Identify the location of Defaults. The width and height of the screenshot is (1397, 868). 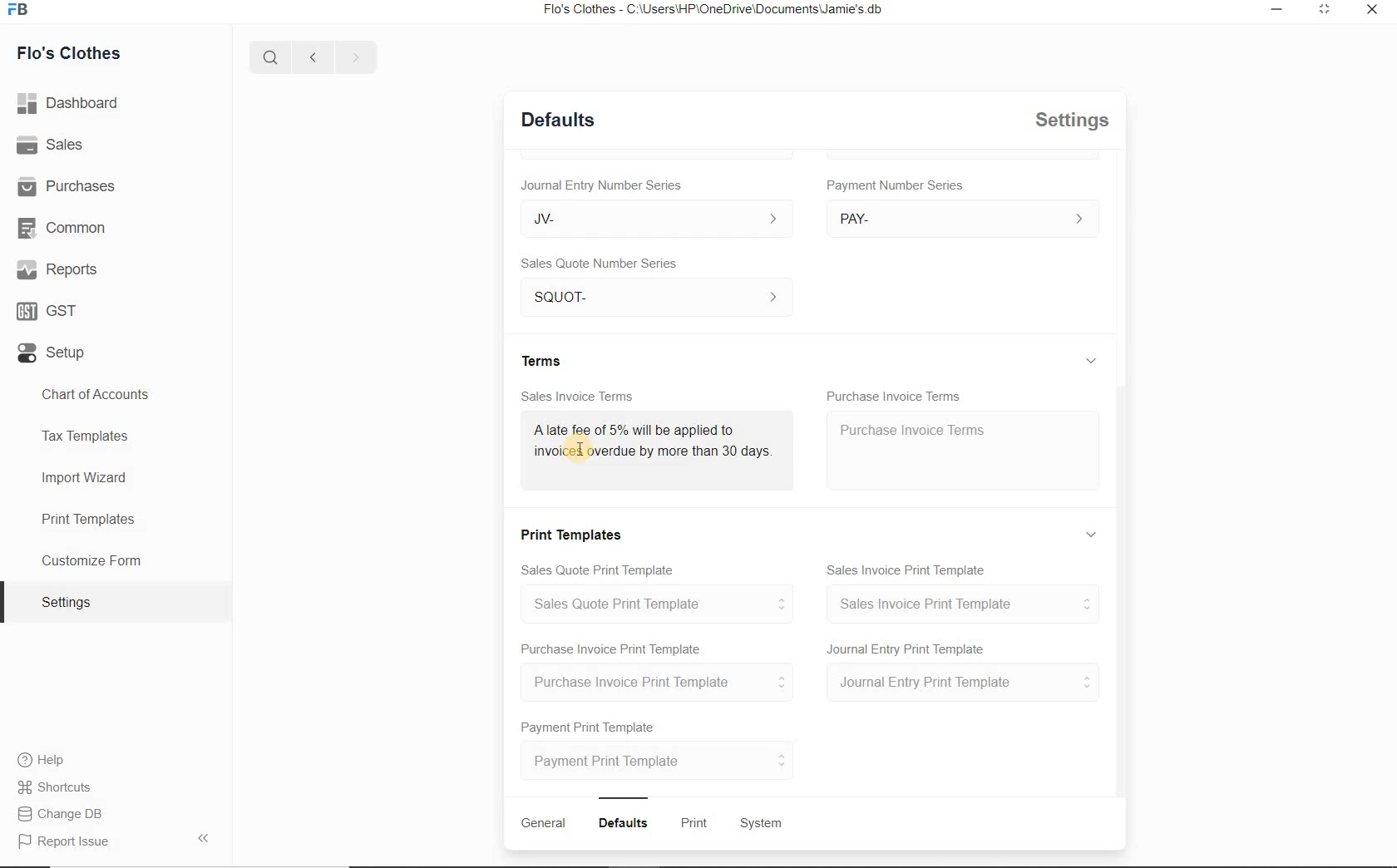
(558, 118).